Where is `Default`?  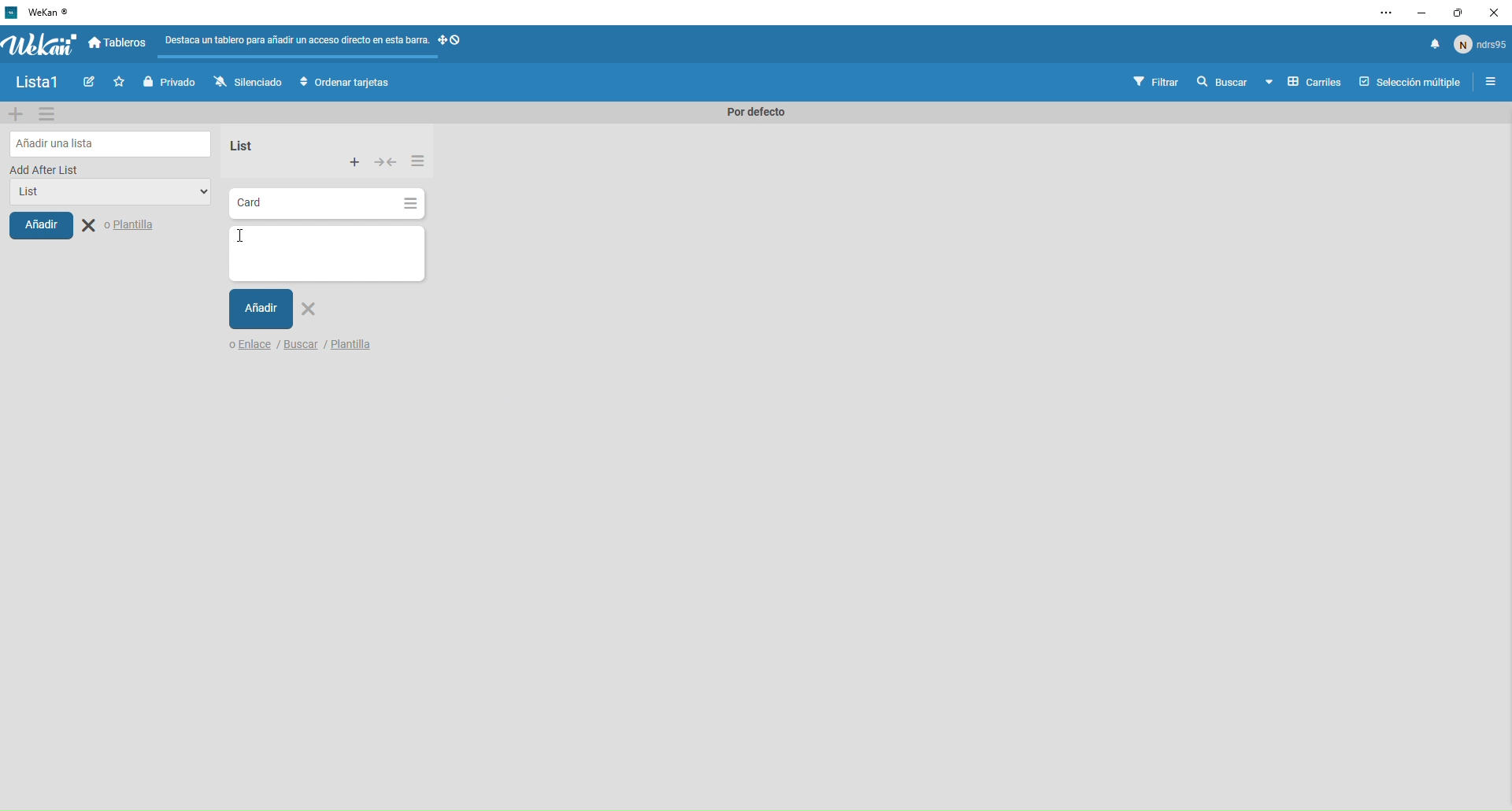 Default is located at coordinates (751, 113).